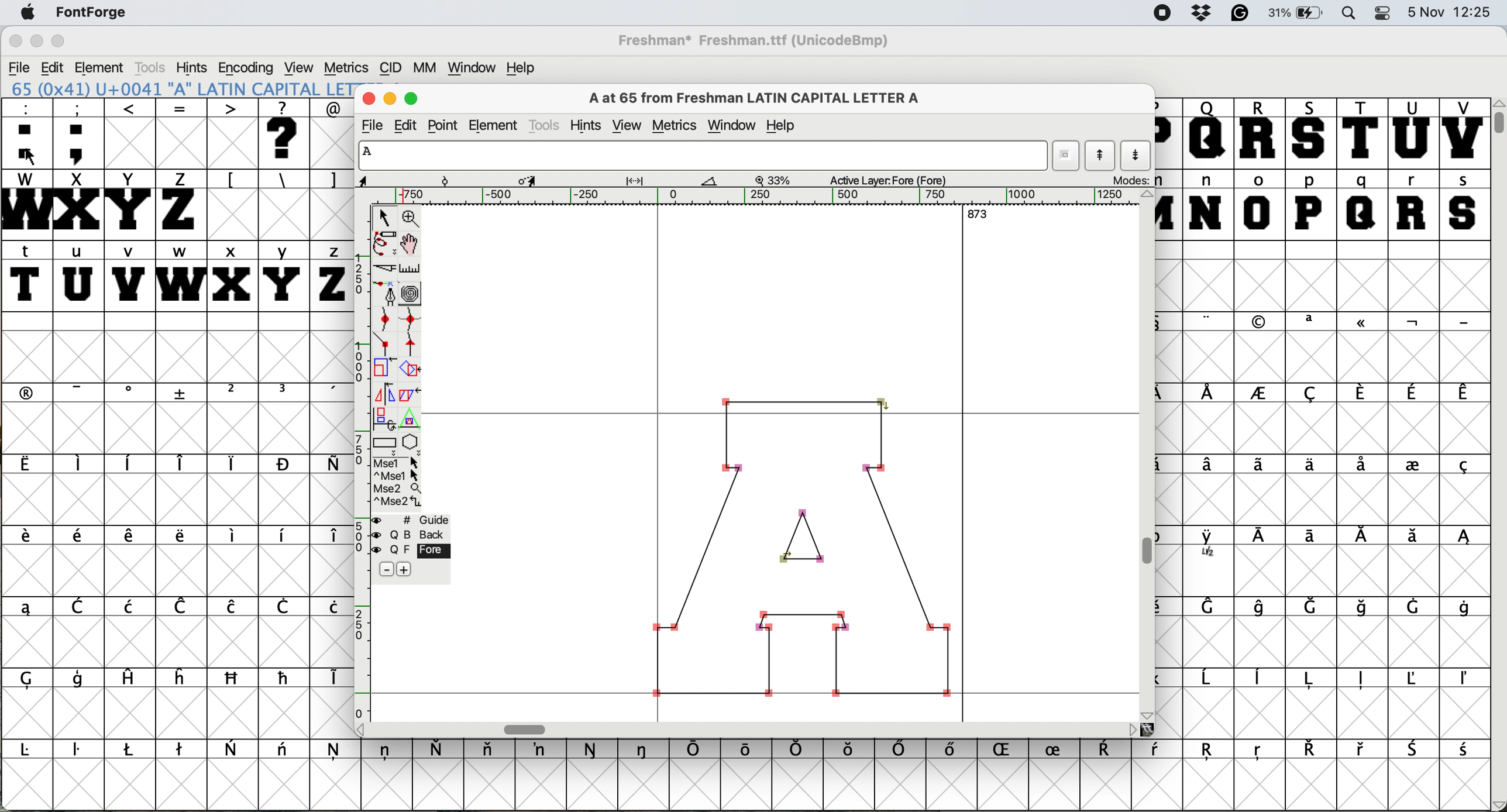  I want to click on symbol, so click(1212, 608).